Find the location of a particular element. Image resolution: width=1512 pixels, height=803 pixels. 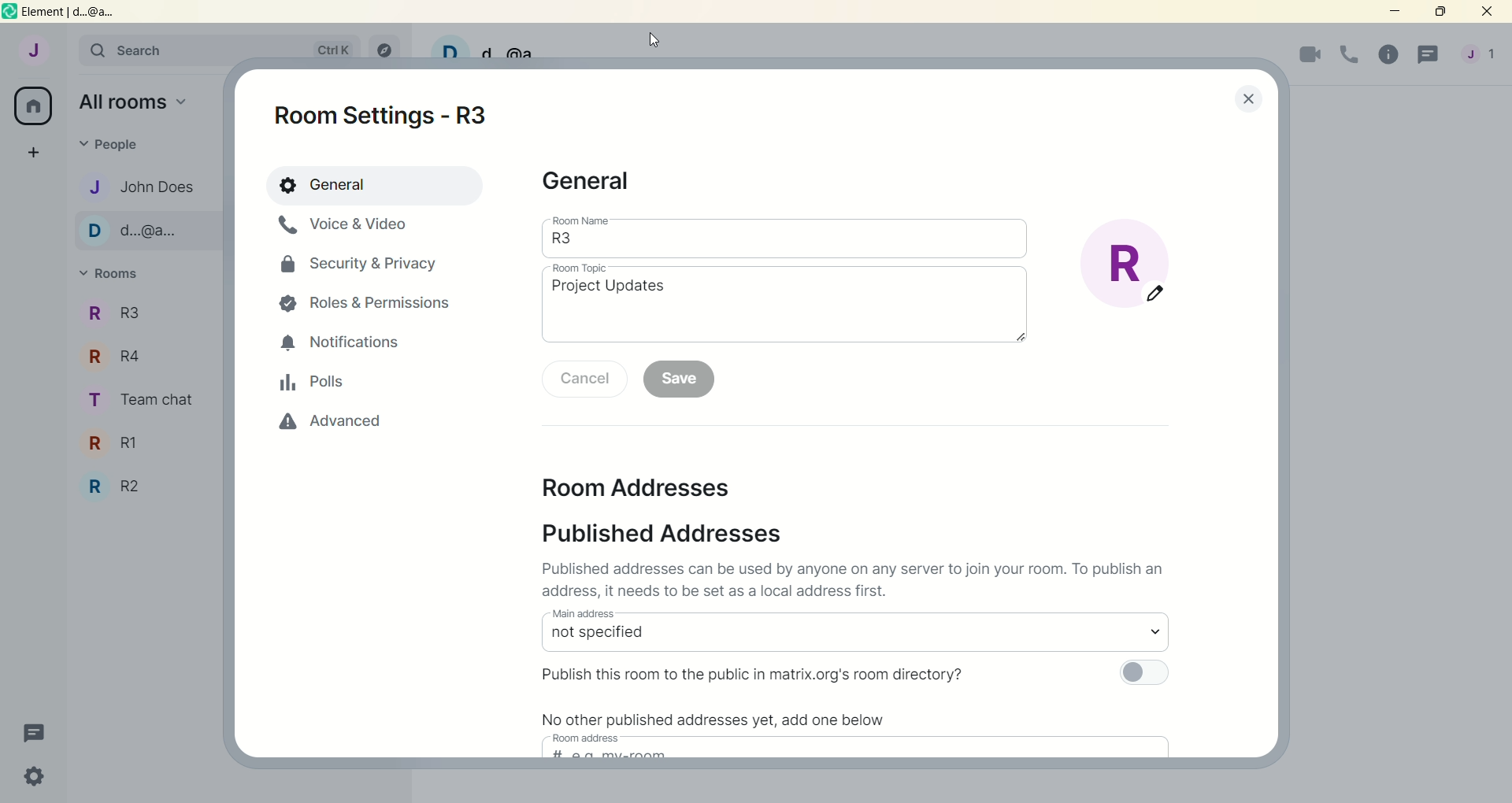

rooms is located at coordinates (109, 273).